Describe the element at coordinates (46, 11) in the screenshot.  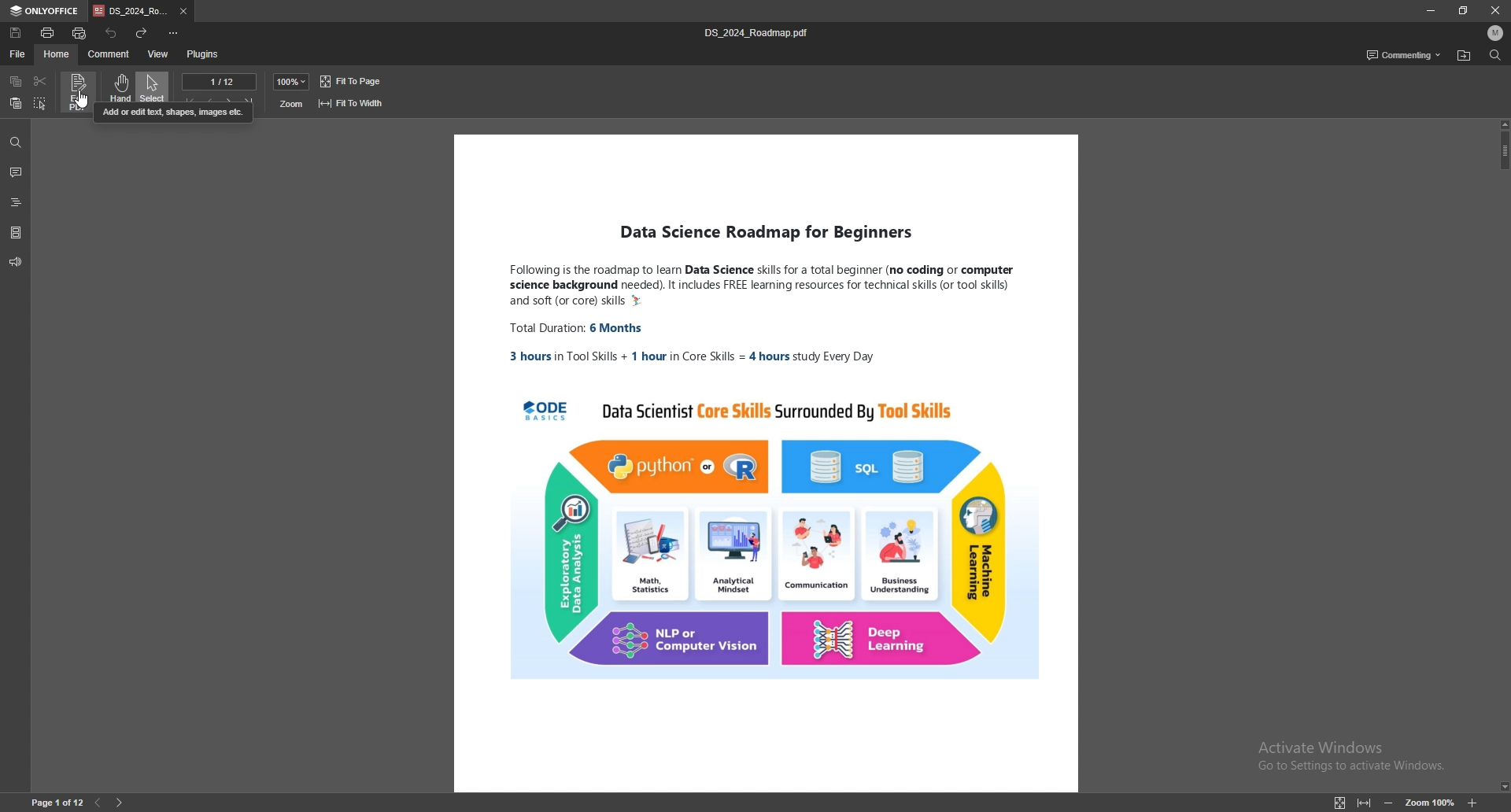
I see `onlyoffice` at that location.